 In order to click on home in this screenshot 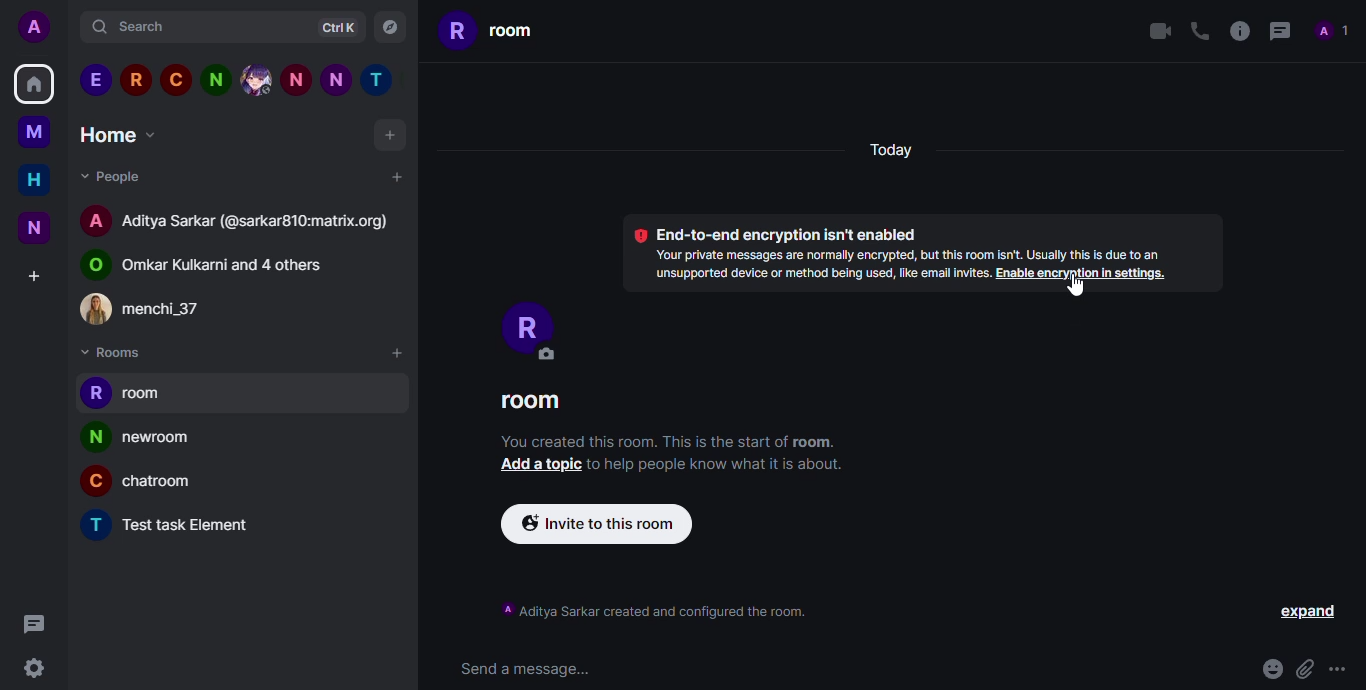, I will do `click(34, 179)`.